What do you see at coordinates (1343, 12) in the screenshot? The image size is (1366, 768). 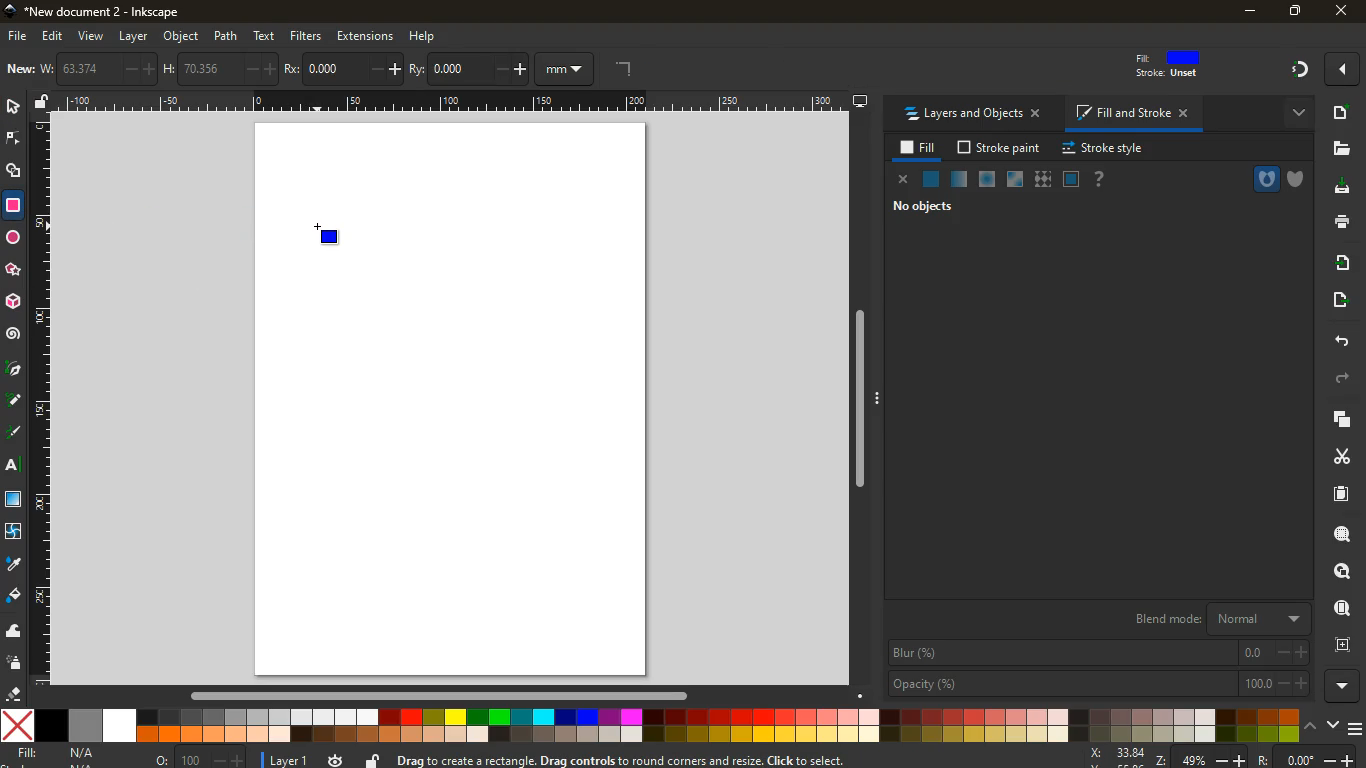 I see `close` at bounding box center [1343, 12].